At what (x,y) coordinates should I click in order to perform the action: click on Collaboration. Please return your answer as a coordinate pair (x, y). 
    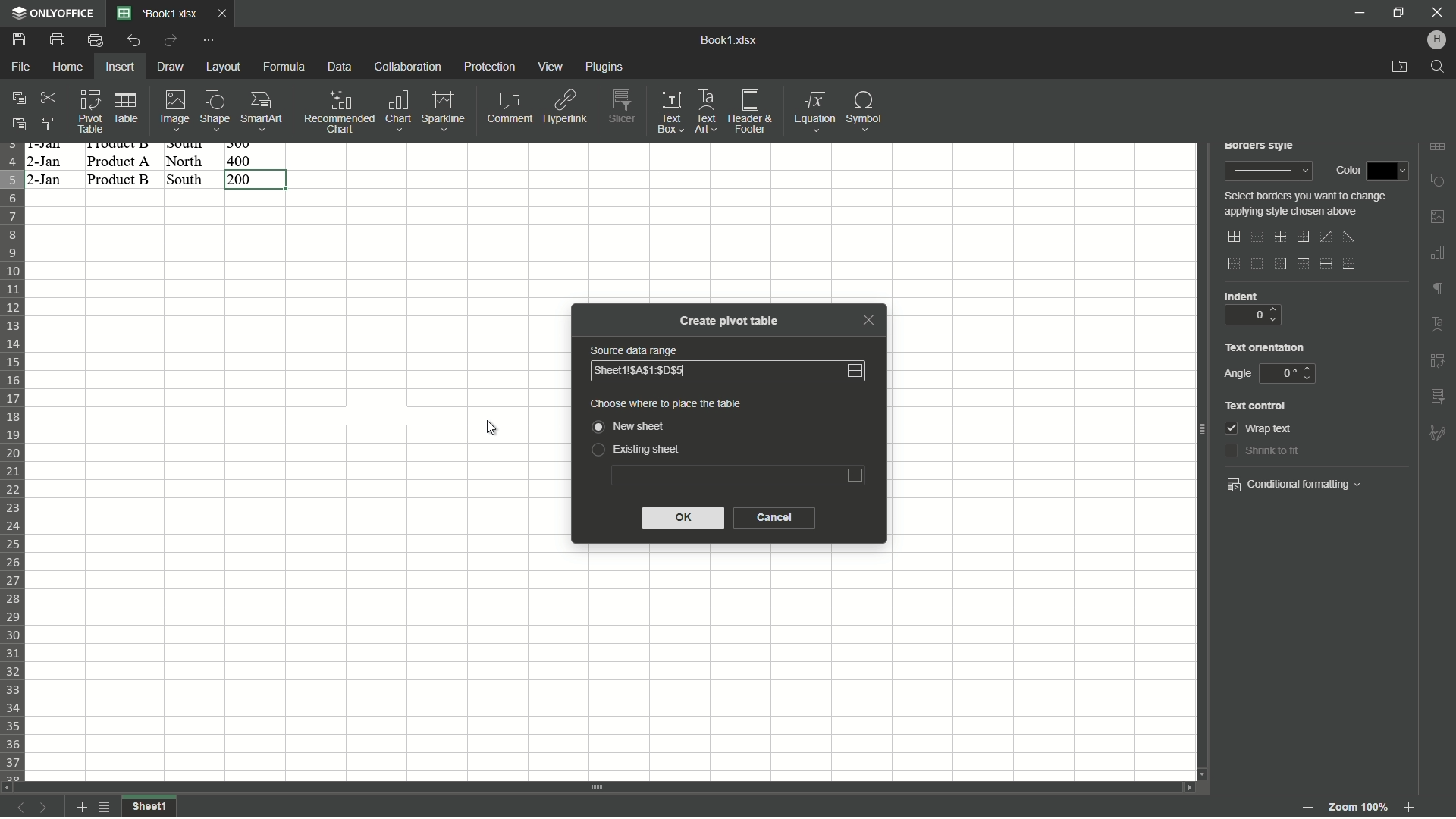
    Looking at the image, I should click on (406, 67).